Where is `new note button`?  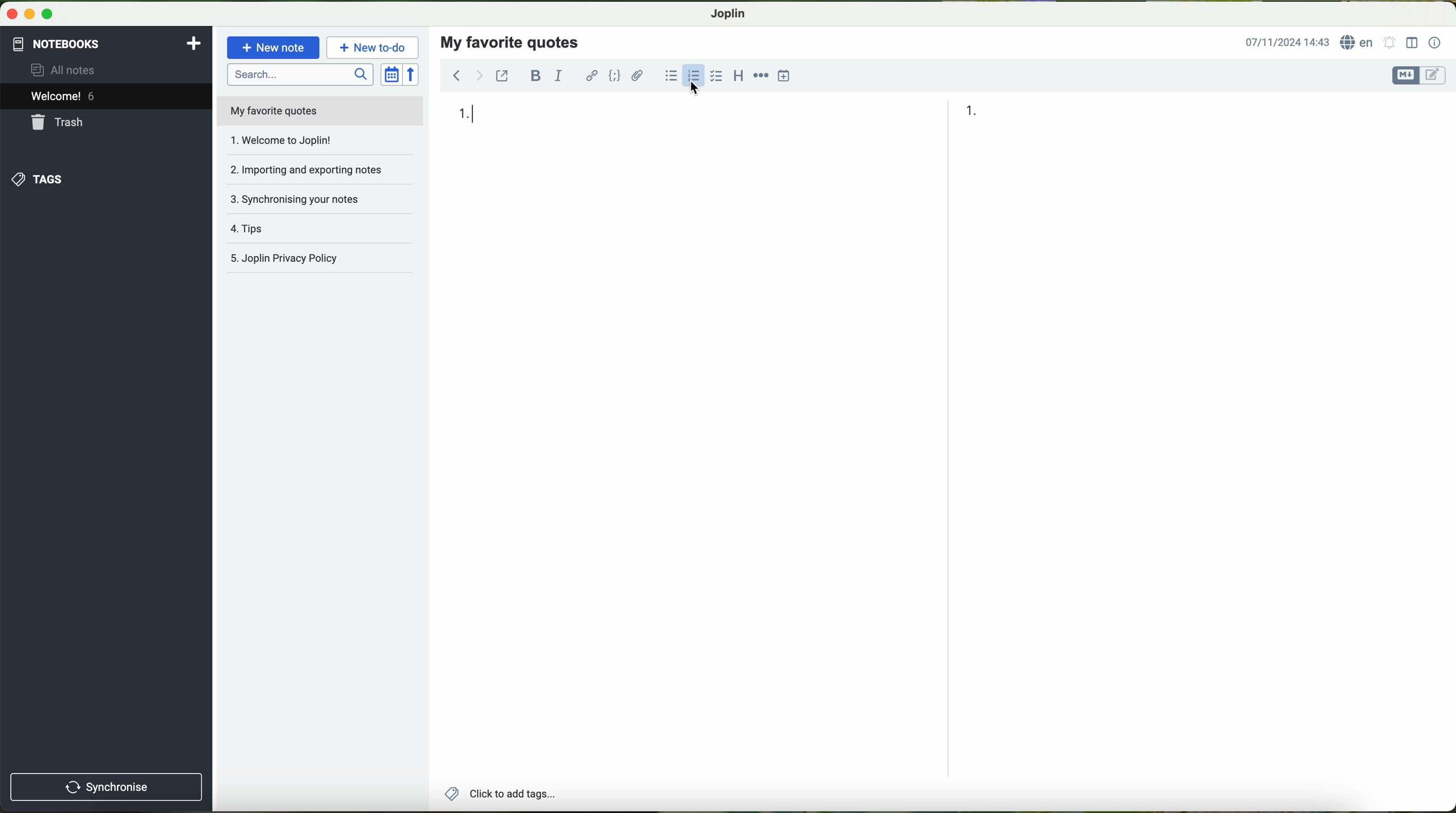 new note button is located at coordinates (274, 47).